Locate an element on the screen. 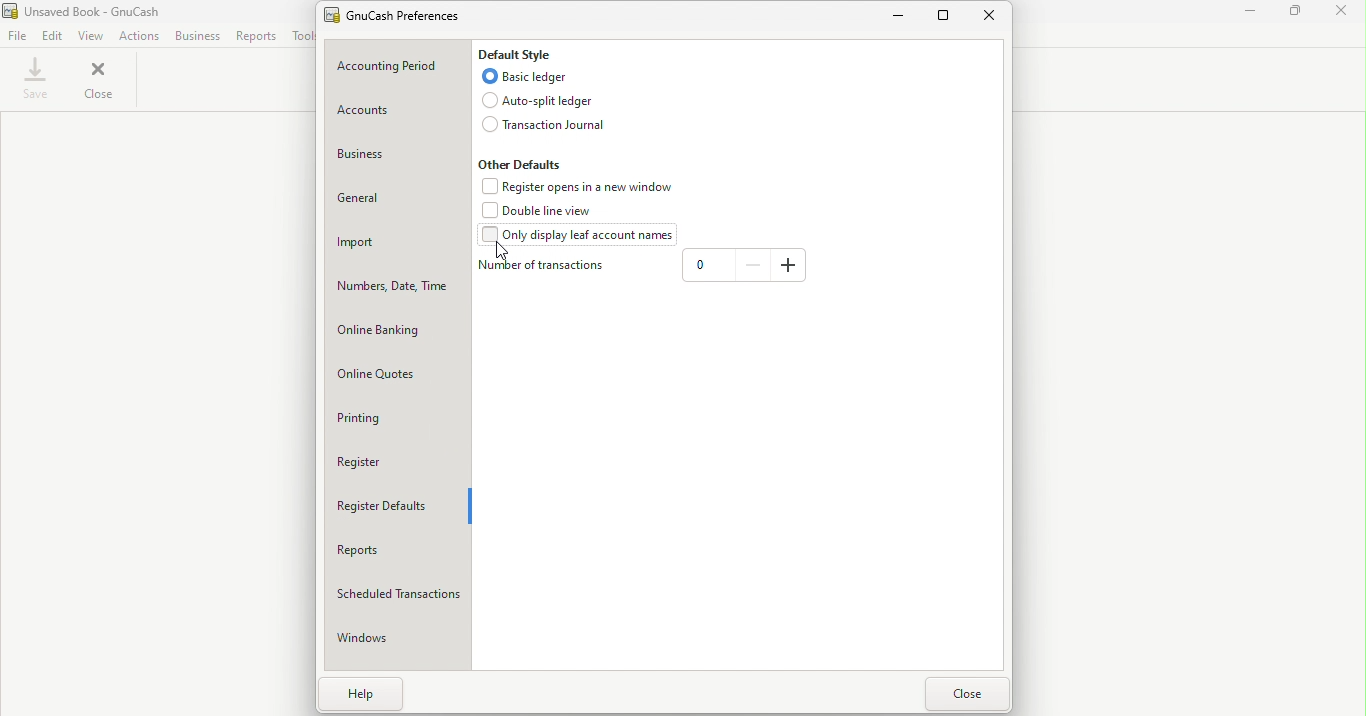 The width and height of the screenshot is (1366, 716). GnuCash prefernces is located at coordinates (402, 18).